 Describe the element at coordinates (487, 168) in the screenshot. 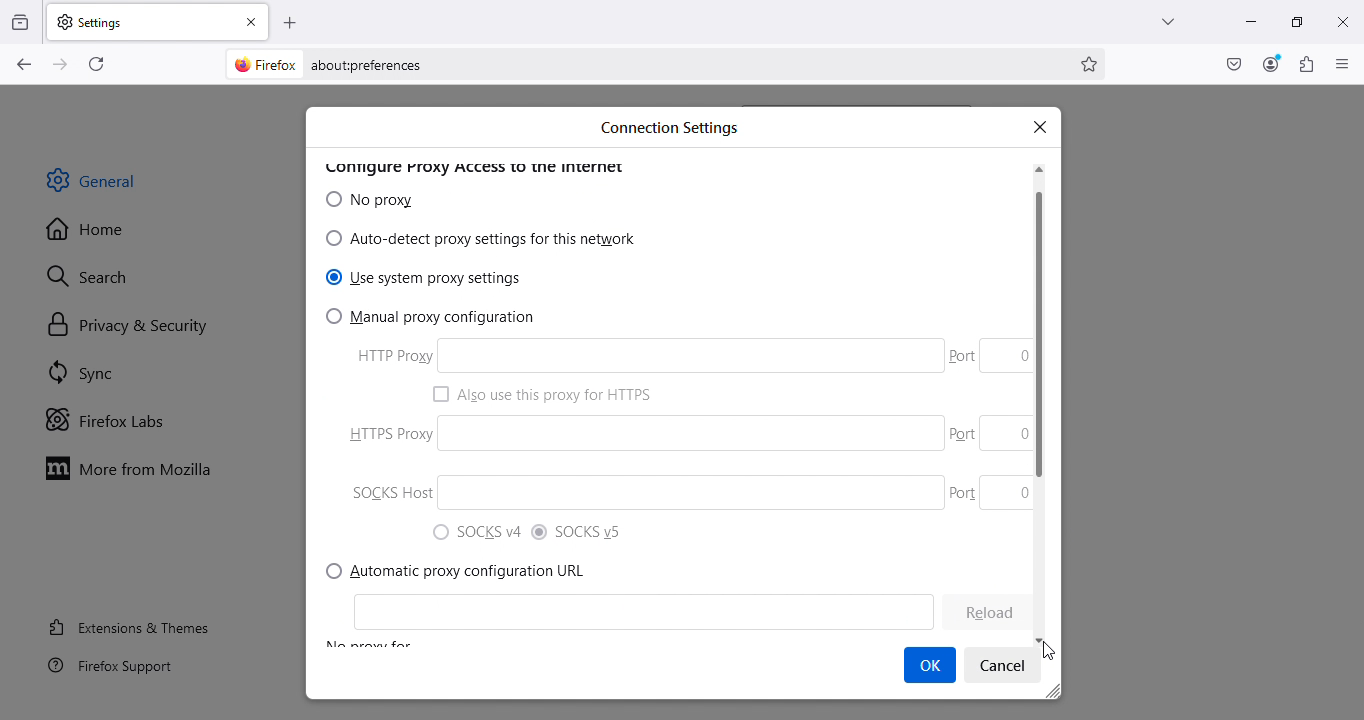

I see `` at that location.